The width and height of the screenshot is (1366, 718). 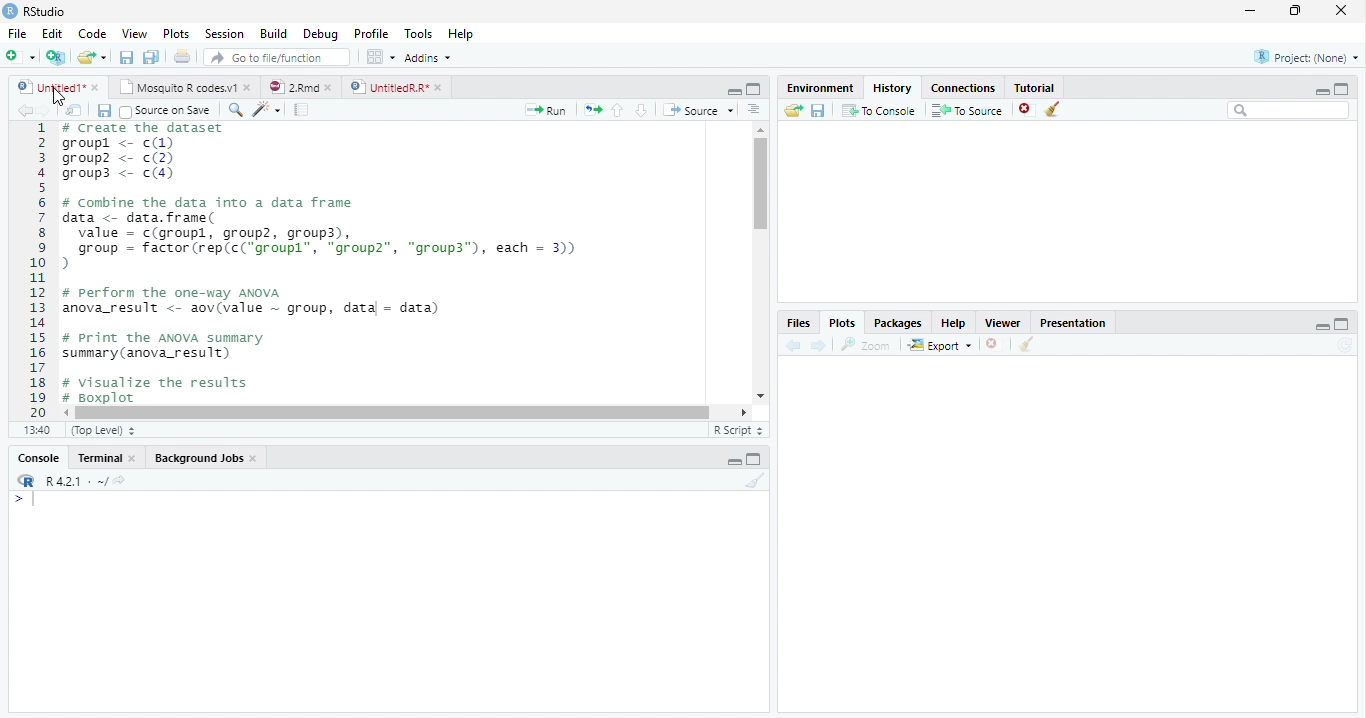 What do you see at coordinates (36, 433) in the screenshot?
I see `1:1` at bounding box center [36, 433].